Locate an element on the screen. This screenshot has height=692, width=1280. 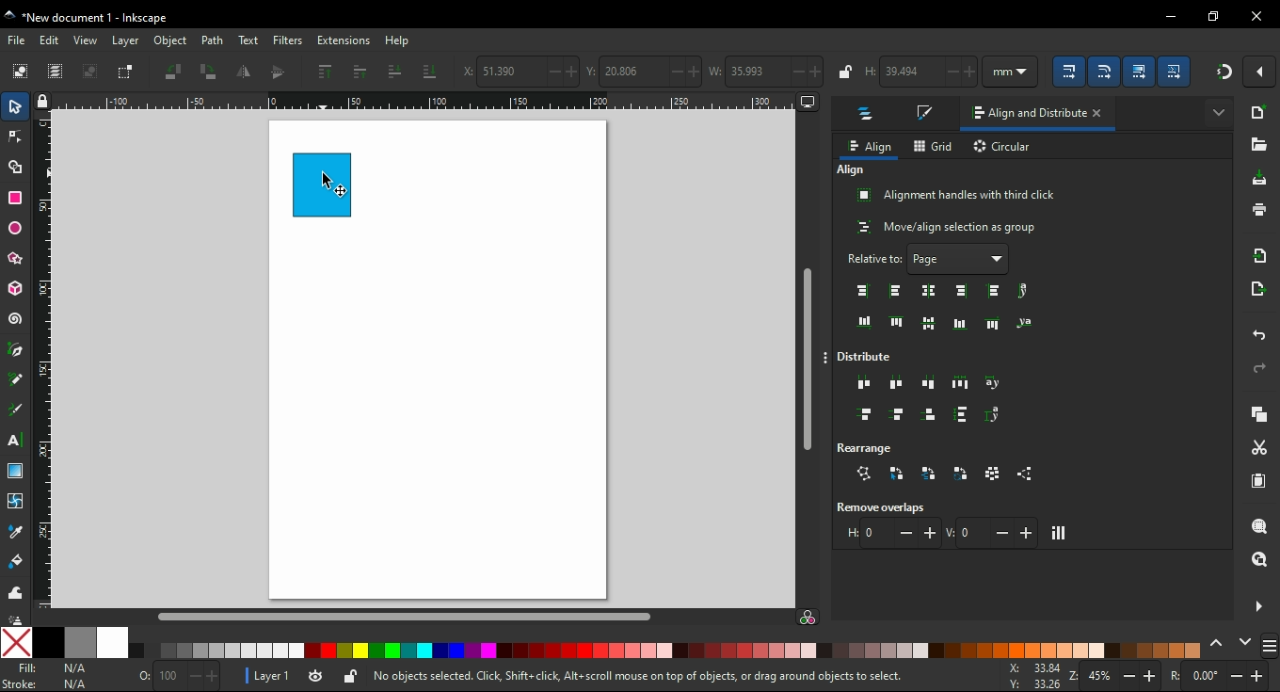
snap is located at coordinates (1223, 72).